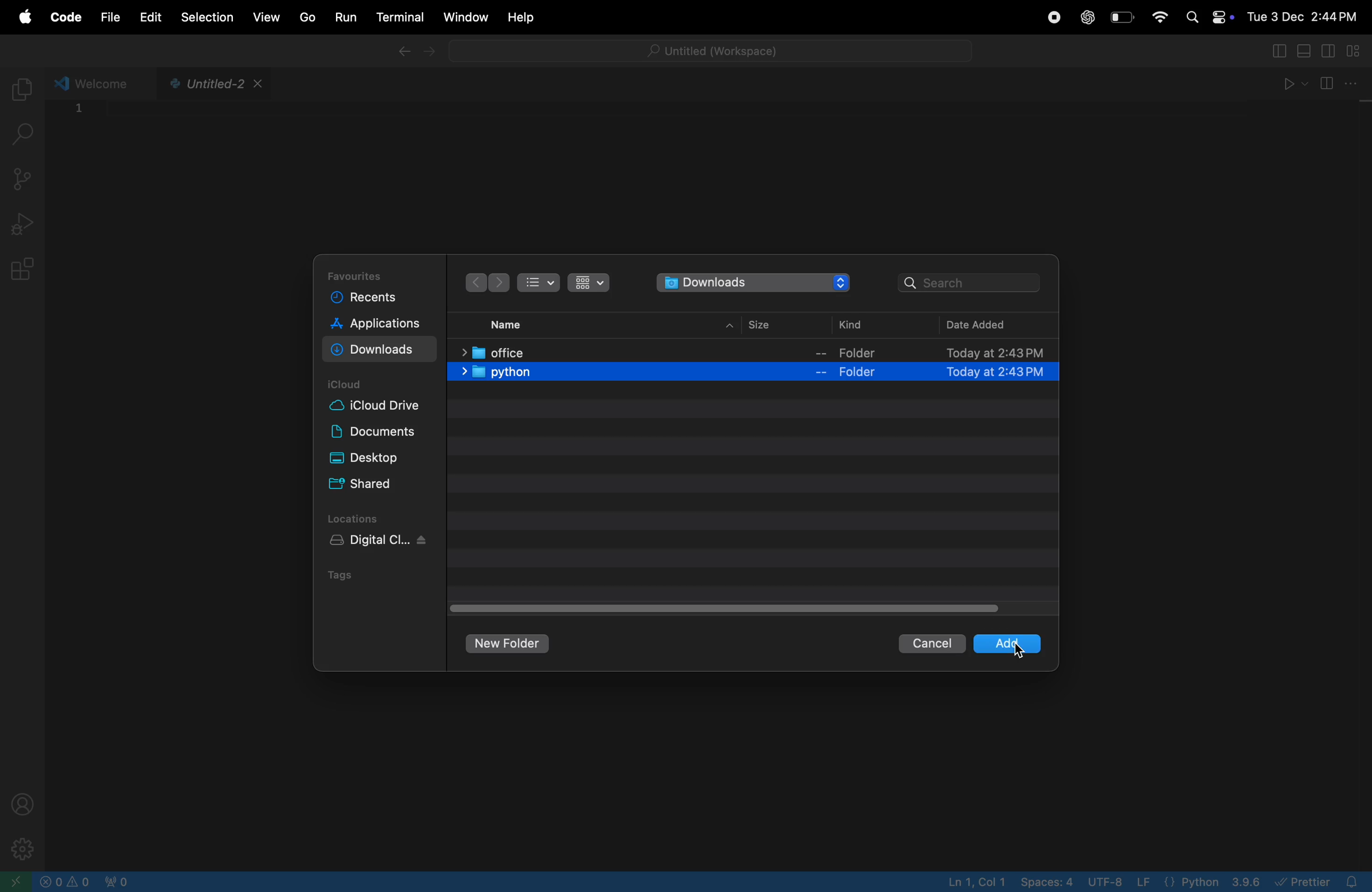  I want to click on name, so click(508, 323).